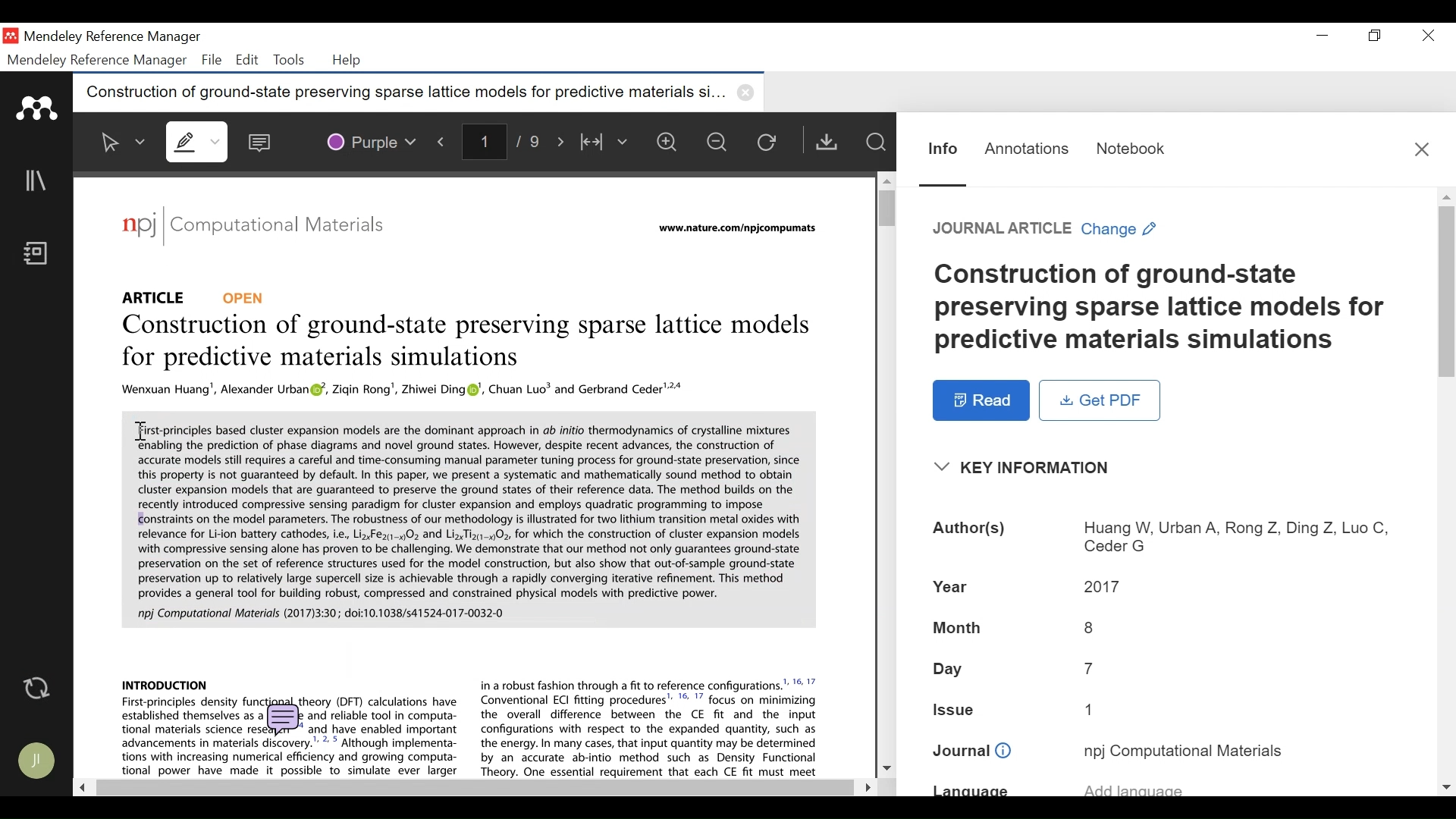 This screenshot has width=1456, height=819. Describe the element at coordinates (1045, 228) in the screenshot. I see `Change Reference Type` at that location.